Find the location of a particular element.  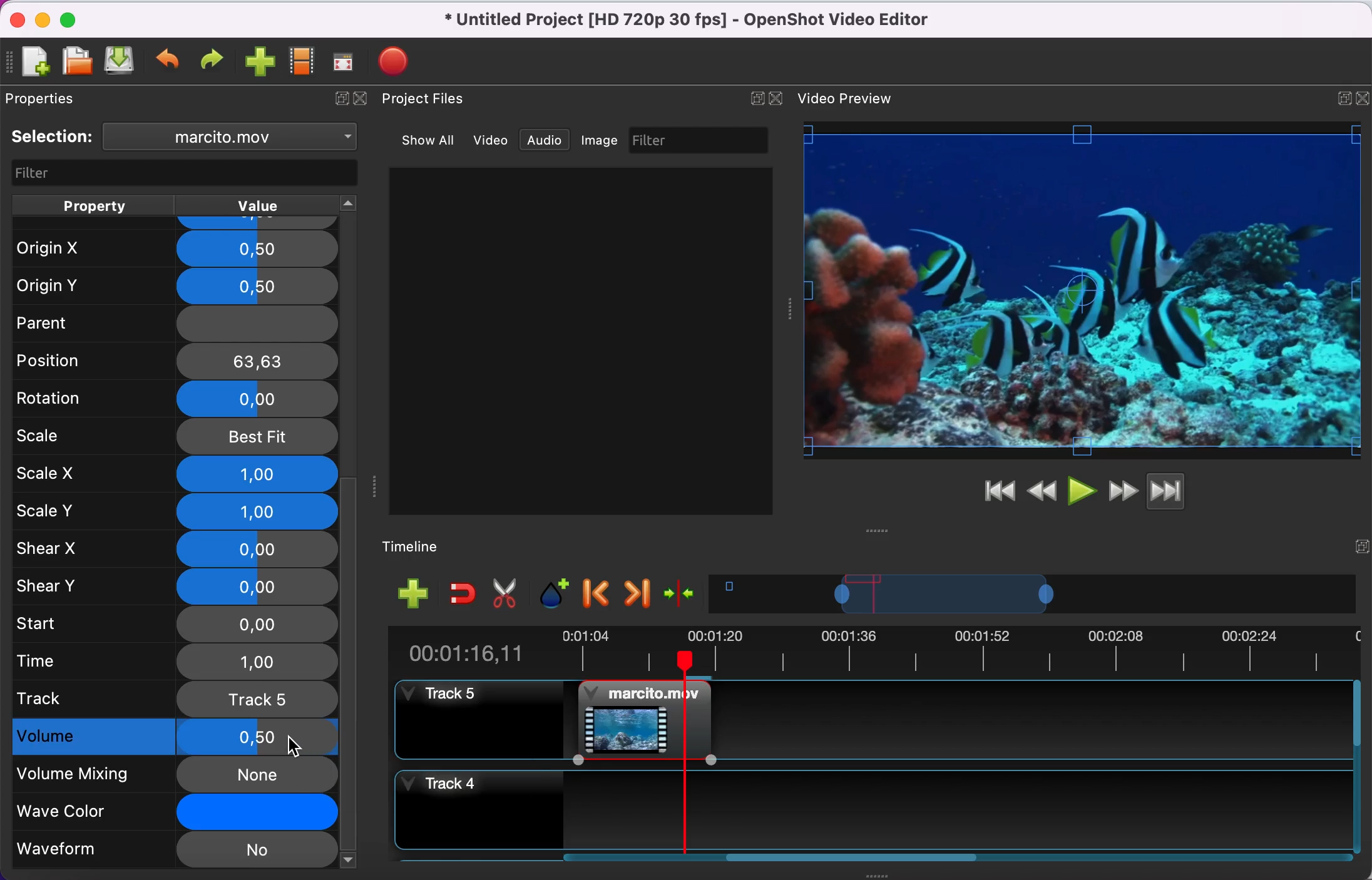

selection is located at coordinates (54, 137).